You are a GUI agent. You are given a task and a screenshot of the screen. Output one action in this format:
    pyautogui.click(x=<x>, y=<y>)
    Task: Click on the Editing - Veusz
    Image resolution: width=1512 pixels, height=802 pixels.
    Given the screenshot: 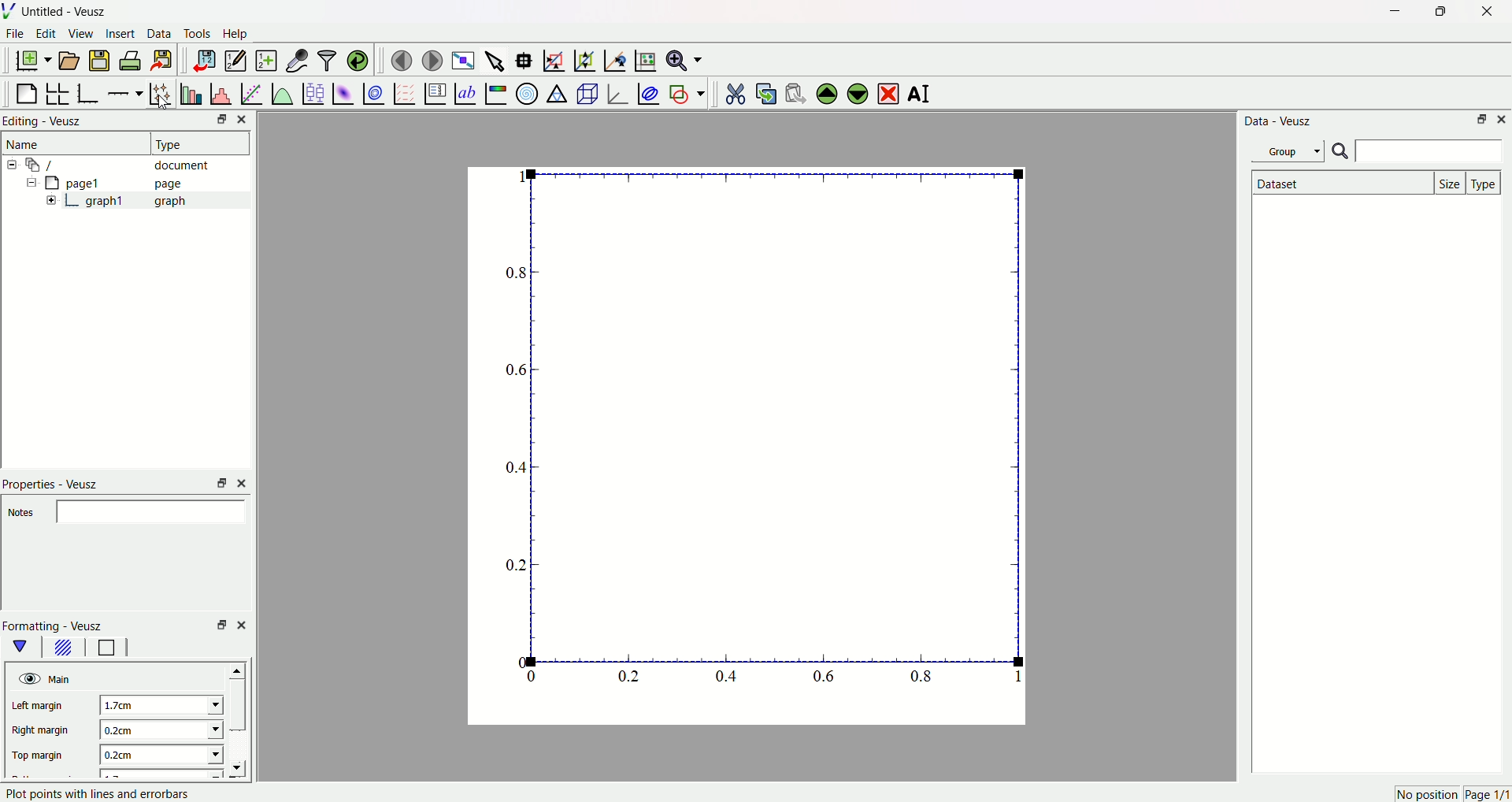 What is the action you would take?
    pyautogui.click(x=46, y=122)
    